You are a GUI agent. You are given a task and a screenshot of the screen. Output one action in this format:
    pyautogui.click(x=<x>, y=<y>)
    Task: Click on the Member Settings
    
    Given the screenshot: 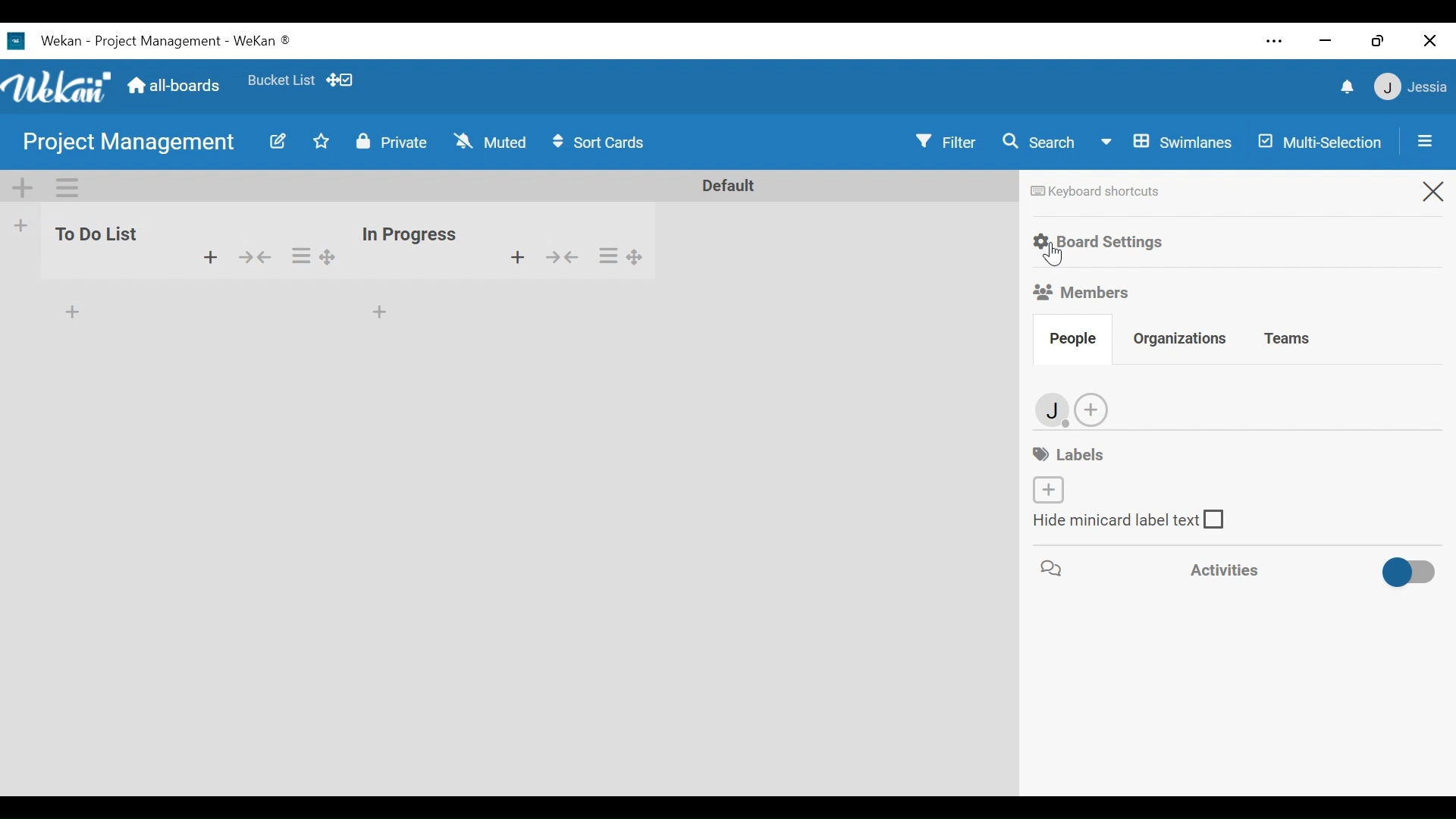 What is the action you would take?
    pyautogui.click(x=1412, y=87)
    